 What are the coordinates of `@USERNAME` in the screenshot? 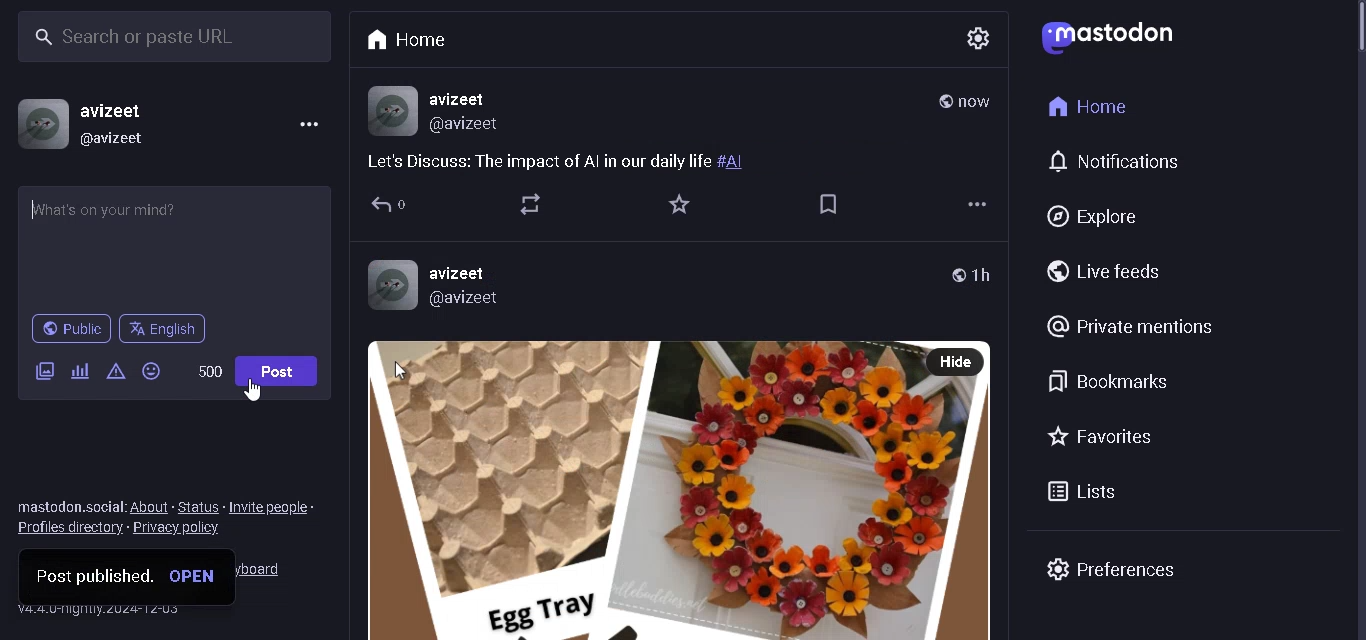 It's located at (122, 138).